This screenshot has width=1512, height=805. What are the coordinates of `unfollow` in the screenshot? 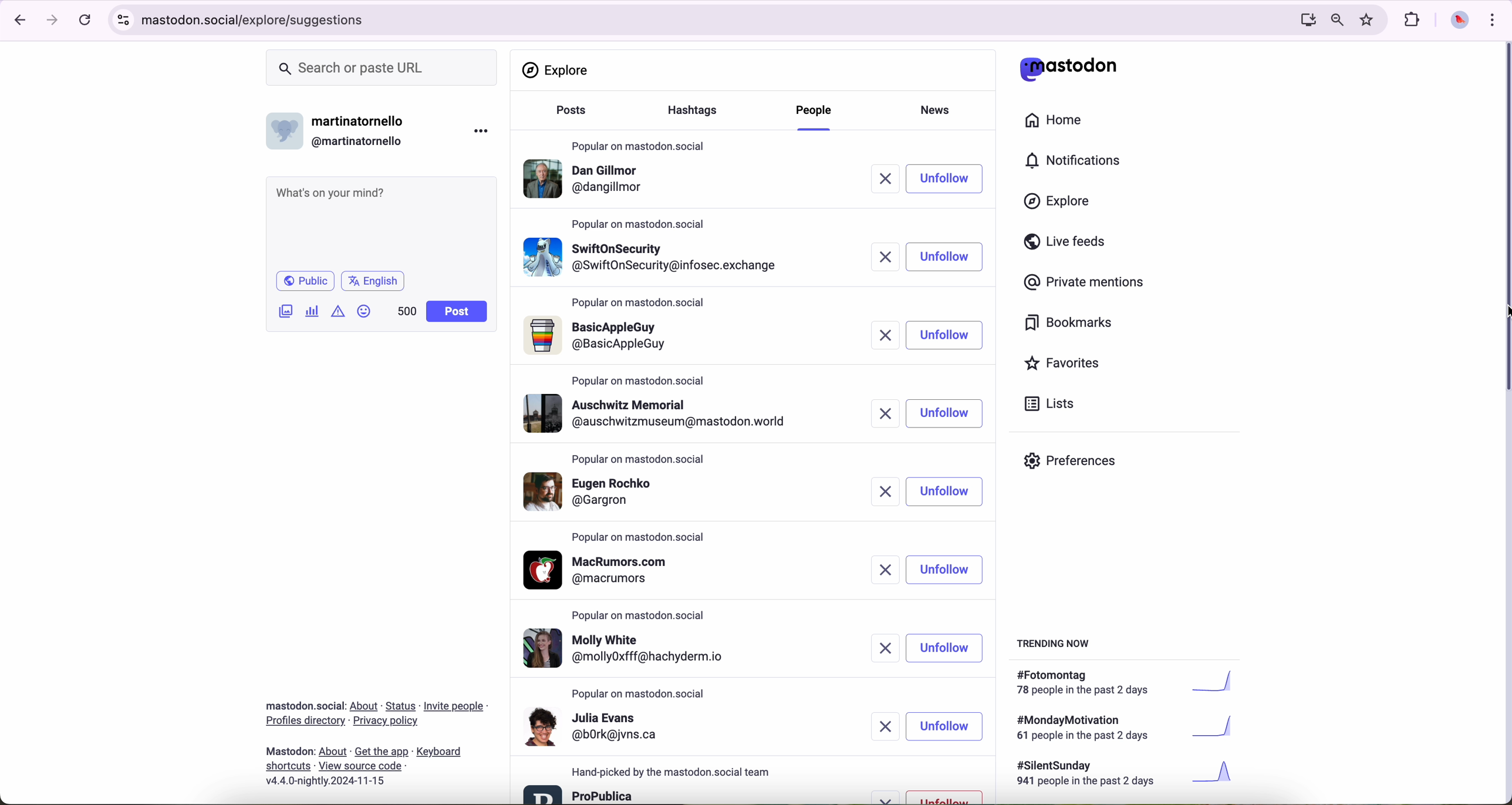 It's located at (944, 796).